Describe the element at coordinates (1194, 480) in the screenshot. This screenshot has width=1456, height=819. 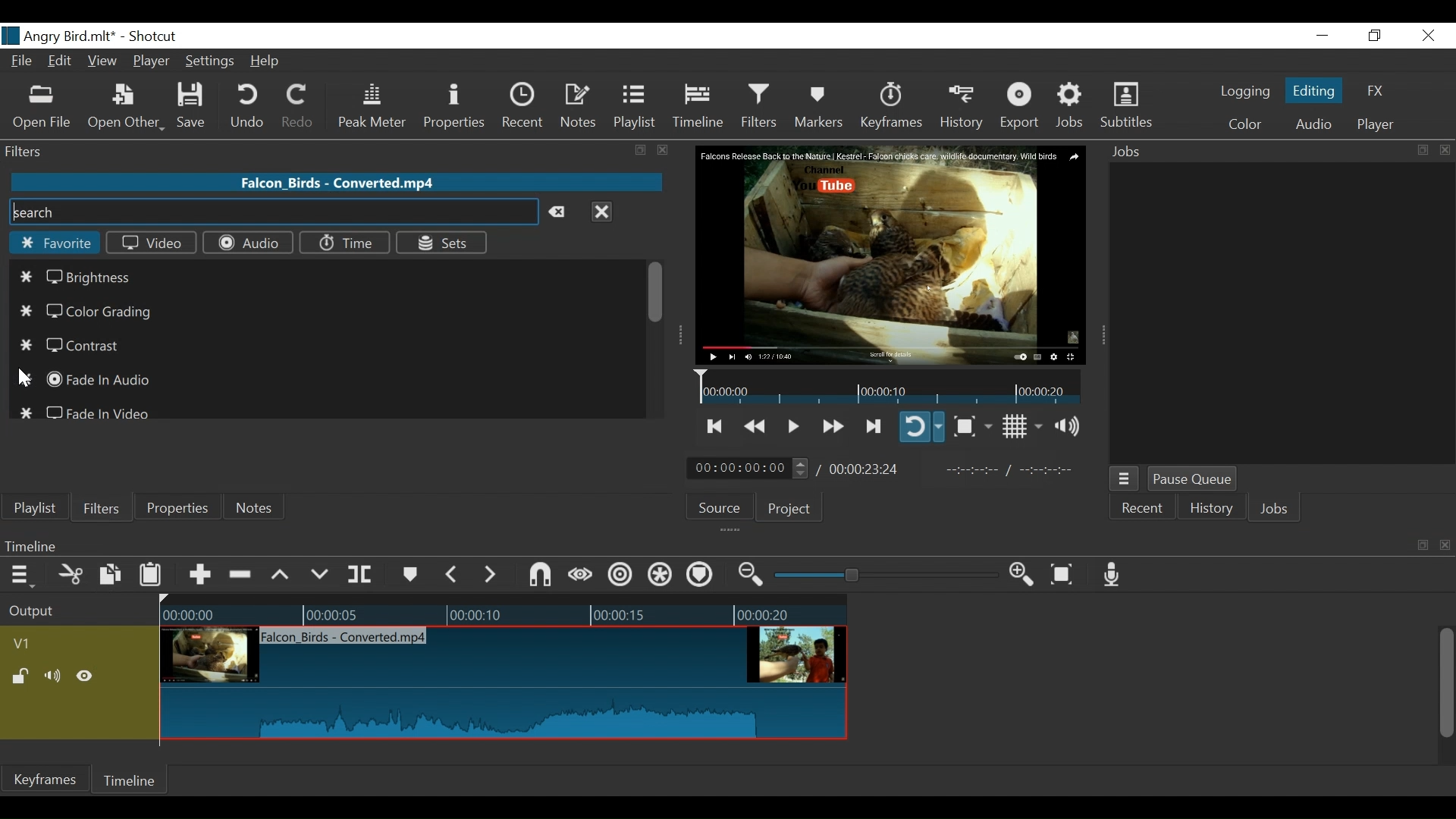
I see `Pause Queue` at that location.